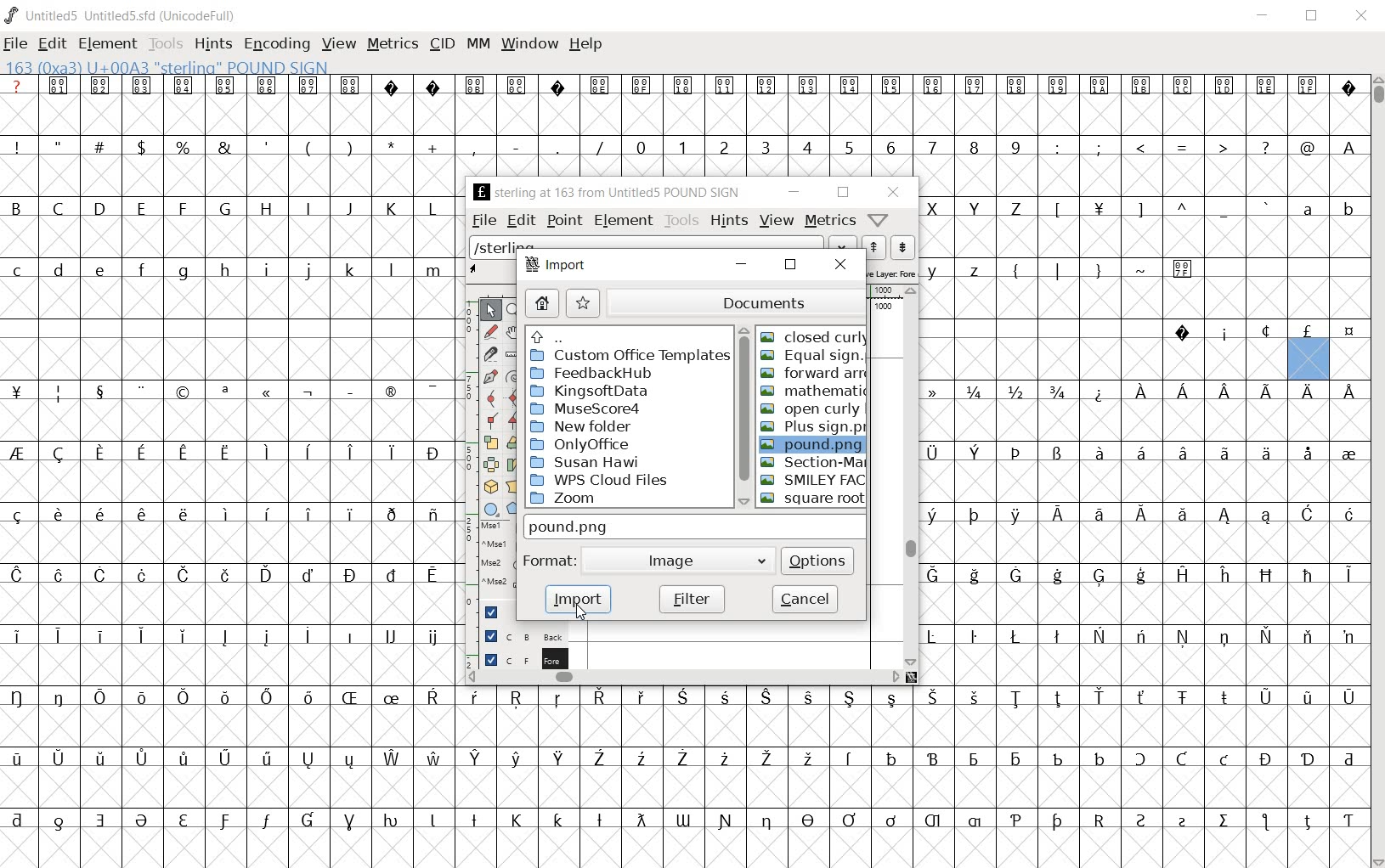  What do you see at coordinates (640, 758) in the screenshot?
I see `Symbol` at bounding box center [640, 758].